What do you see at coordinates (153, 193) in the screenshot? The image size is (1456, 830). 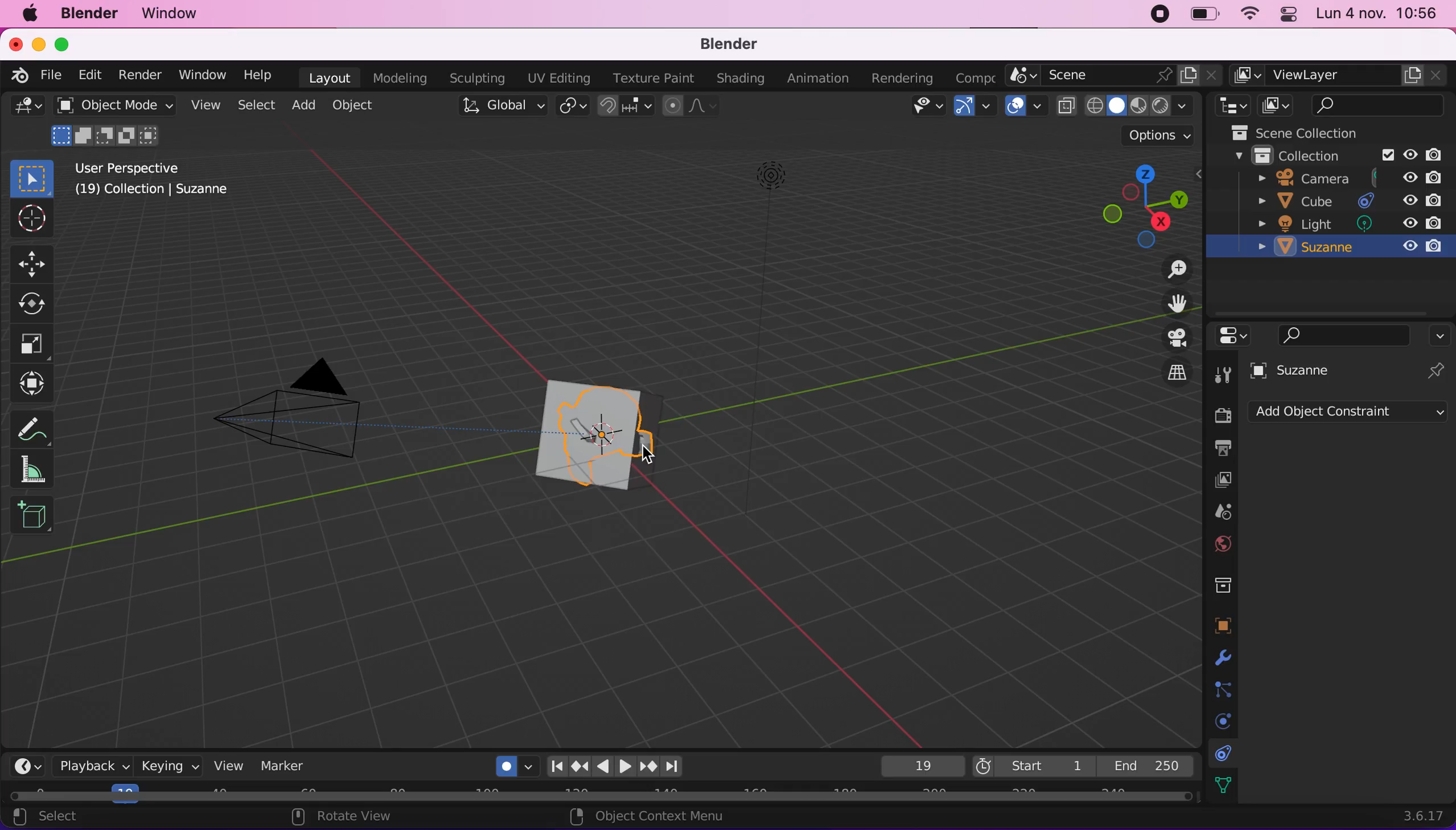 I see `(19) Collection | Suzanne` at bounding box center [153, 193].